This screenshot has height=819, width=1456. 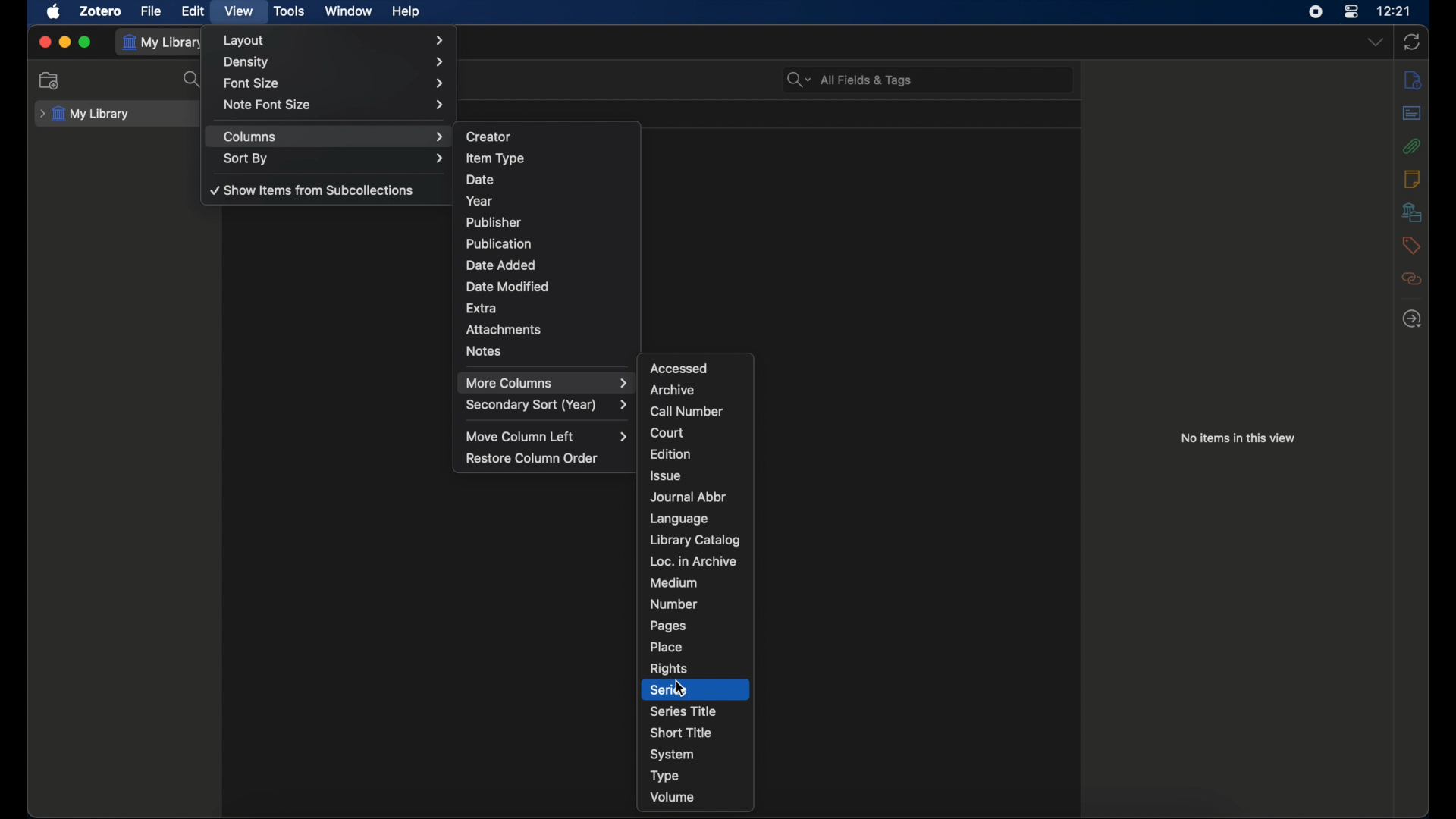 What do you see at coordinates (672, 454) in the screenshot?
I see `edition` at bounding box center [672, 454].